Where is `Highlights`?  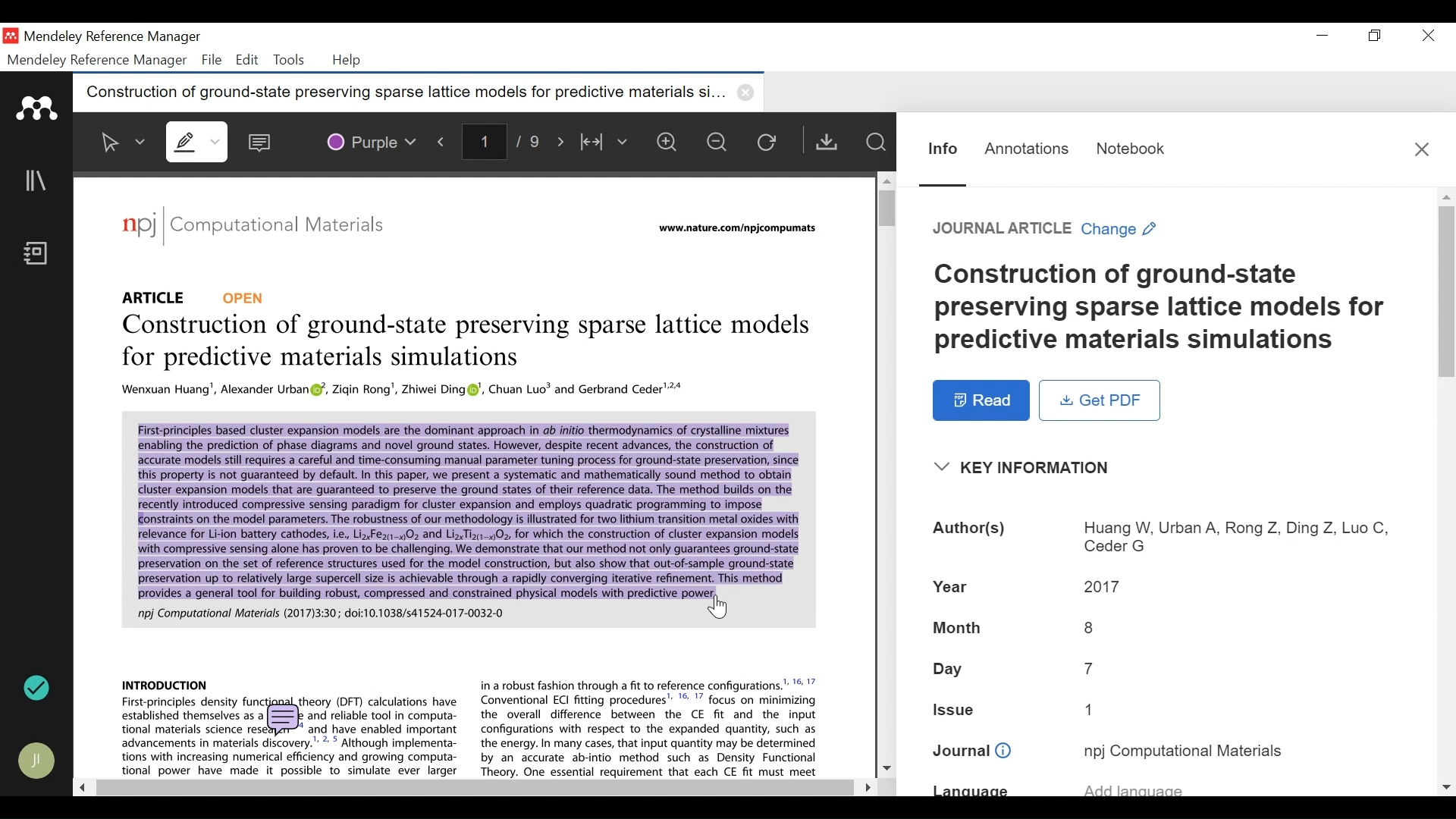
Highlights is located at coordinates (199, 141).